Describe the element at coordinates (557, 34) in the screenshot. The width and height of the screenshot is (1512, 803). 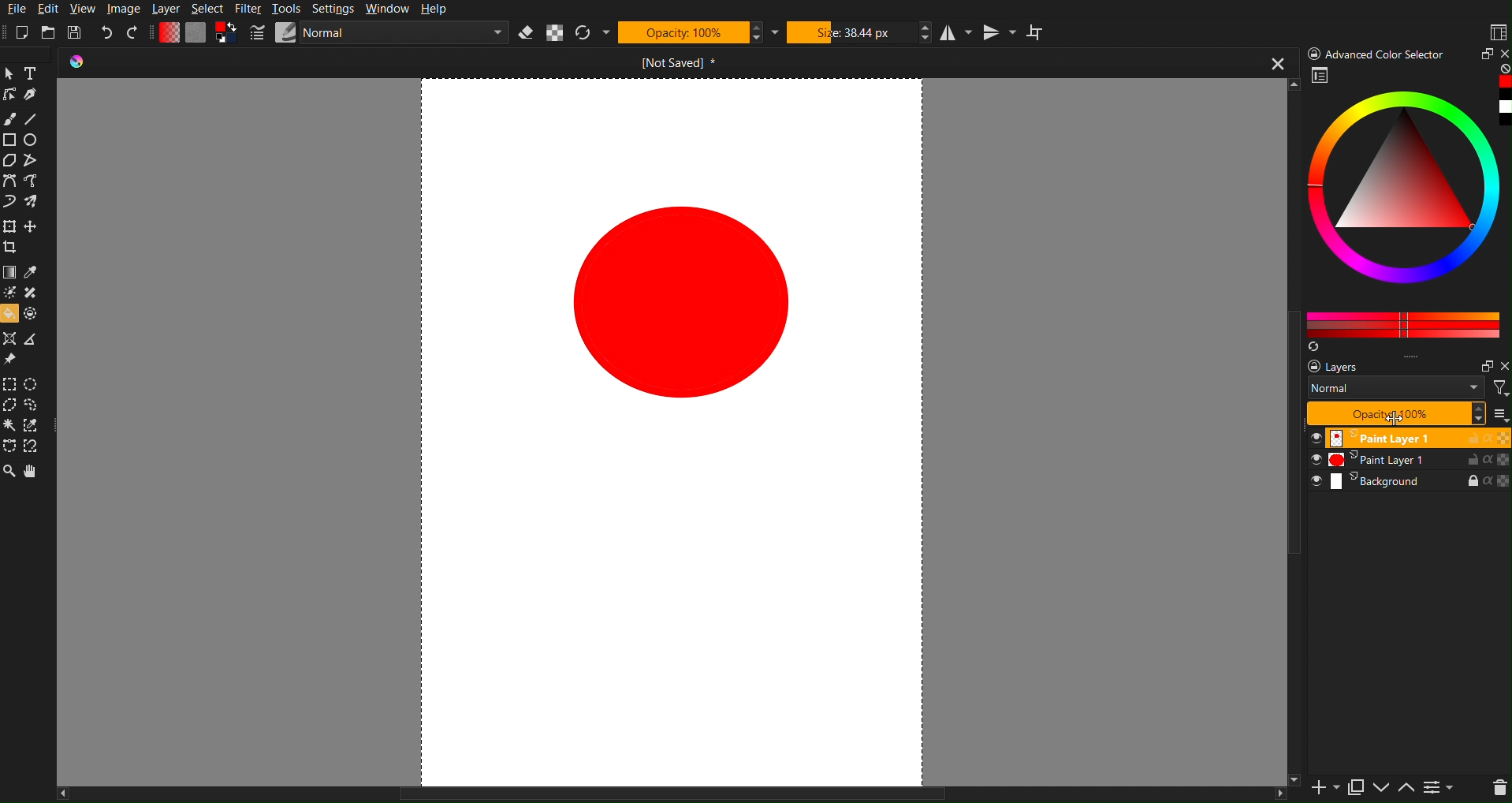
I see `Alpha ` at that location.